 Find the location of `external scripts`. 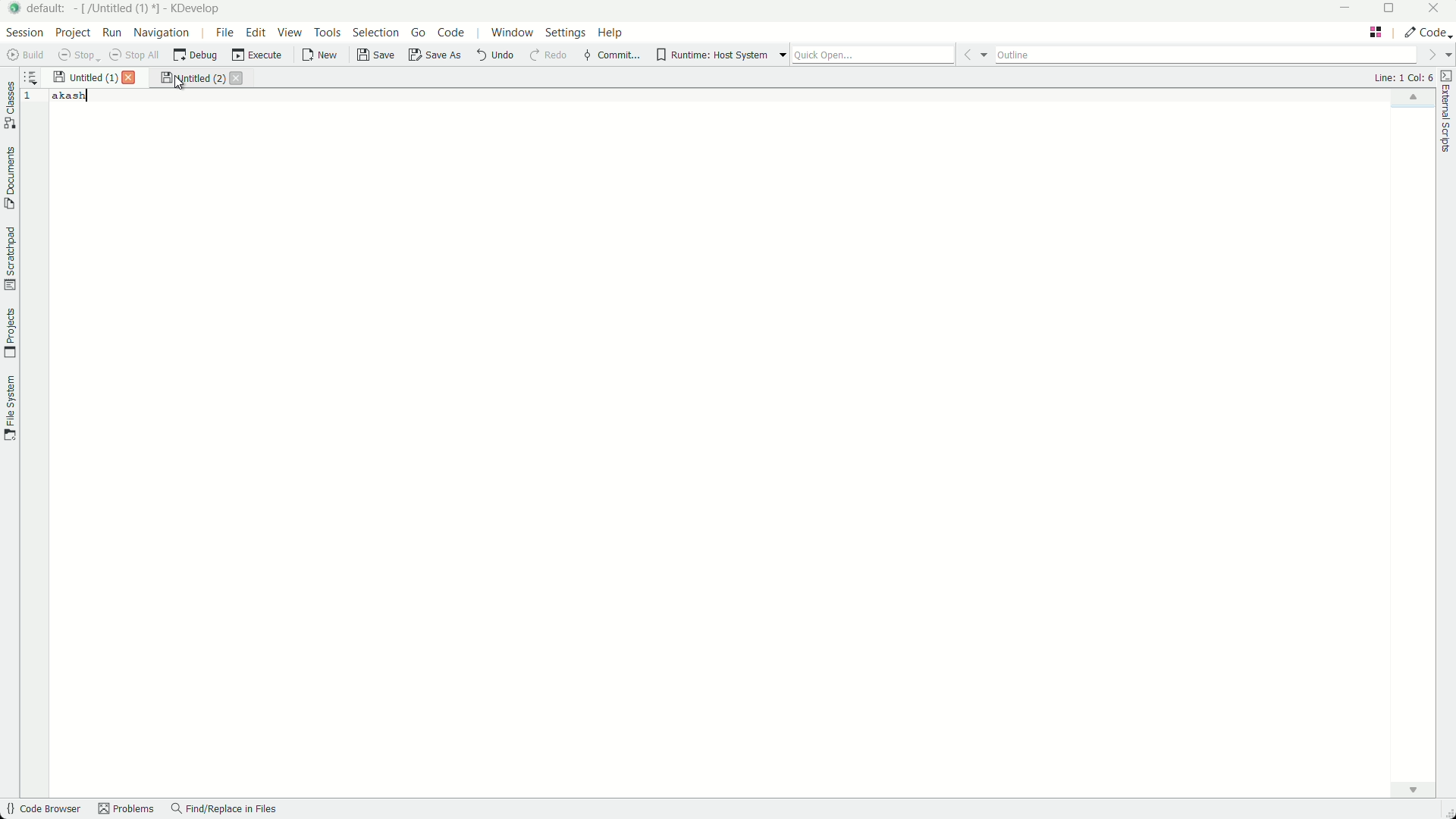

external scripts is located at coordinates (1447, 116).